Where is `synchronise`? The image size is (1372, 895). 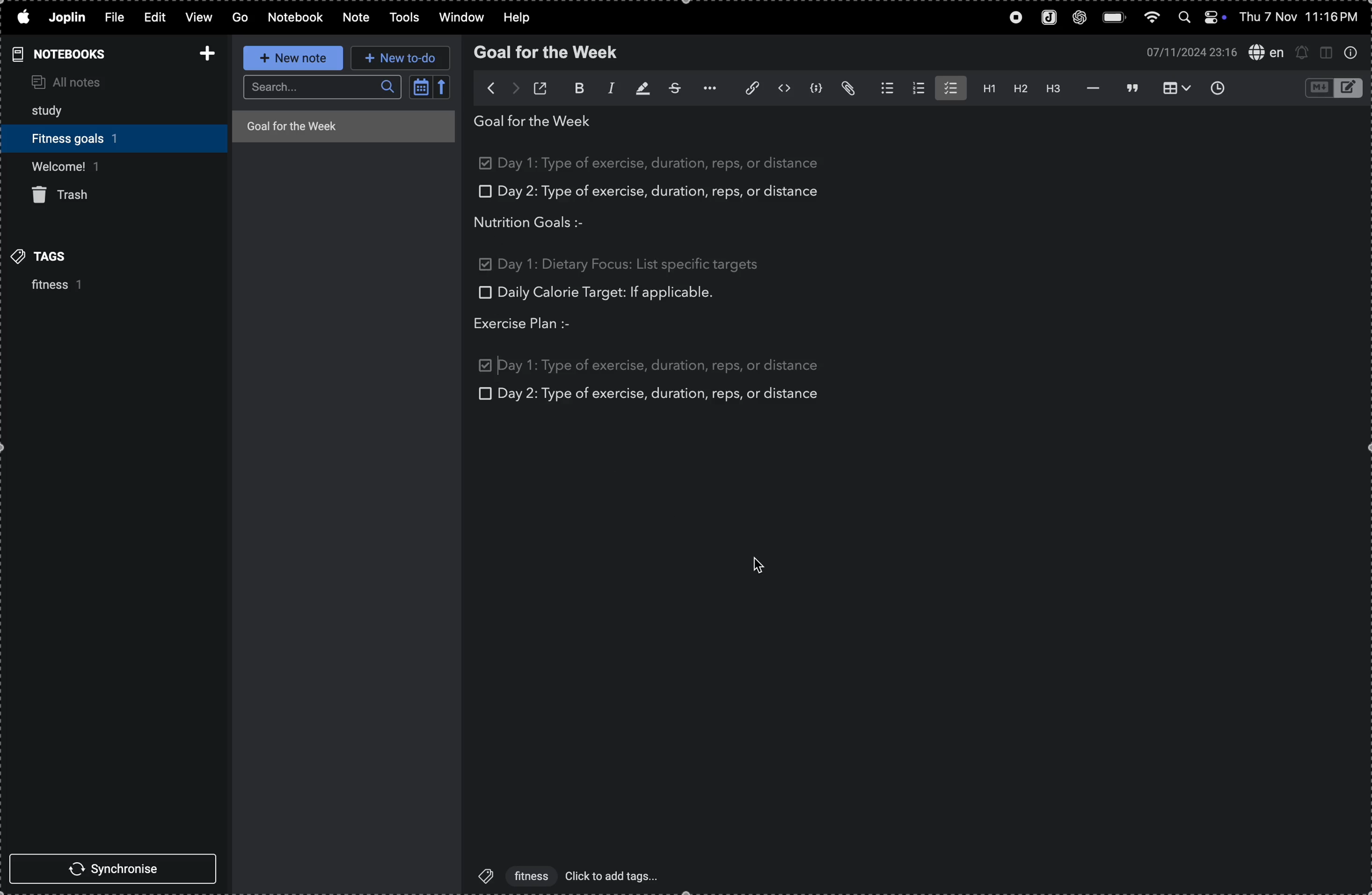
synchronise is located at coordinates (111, 868).